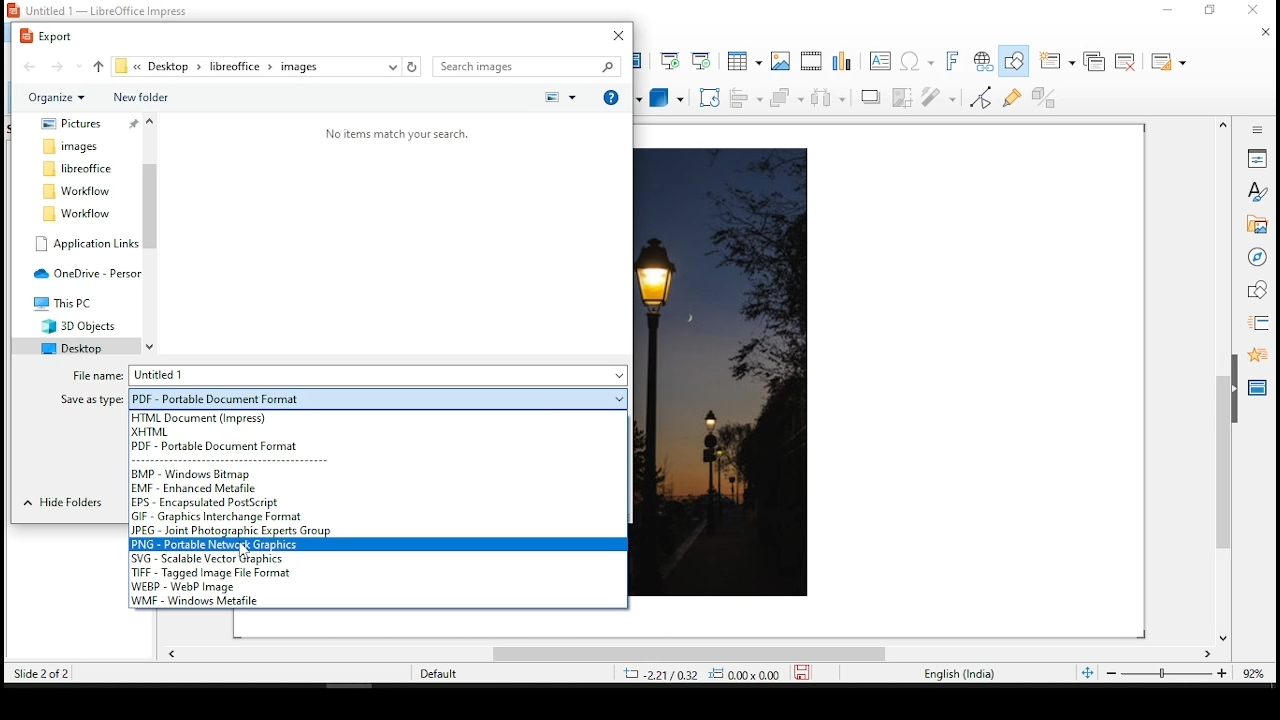 This screenshot has height=720, width=1280. I want to click on export, so click(51, 36).